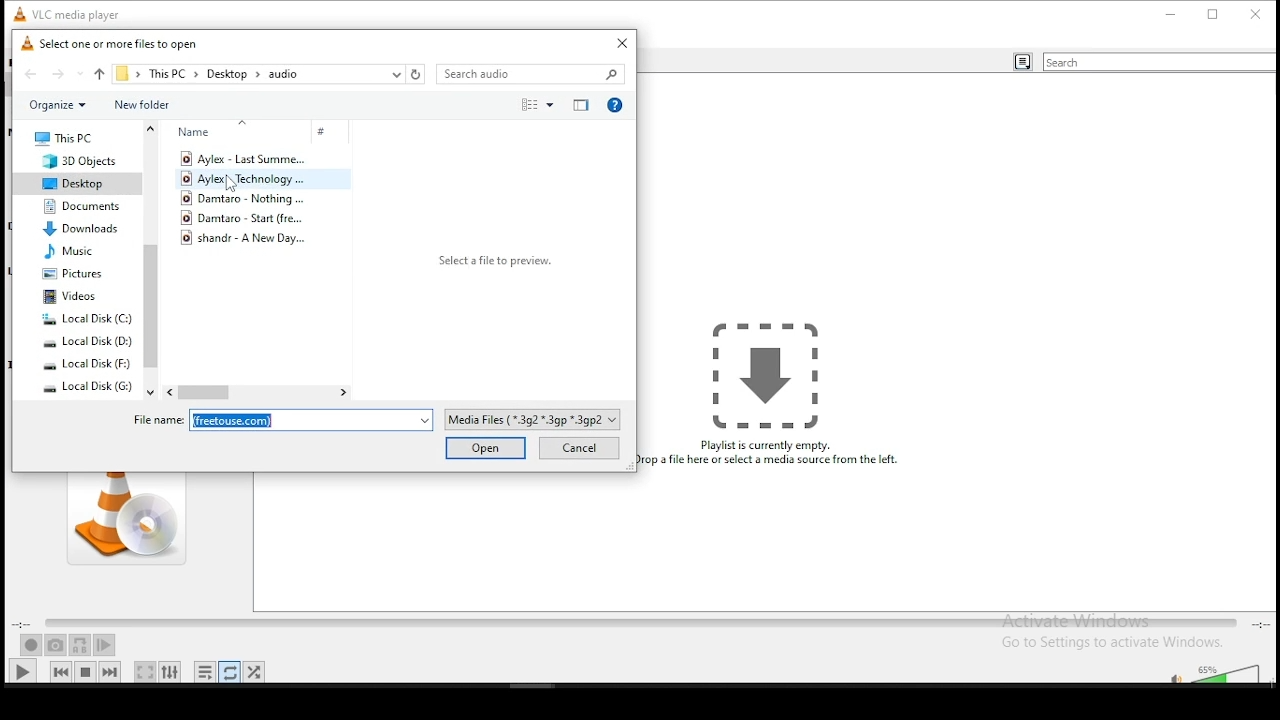 This screenshot has height=720, width=1280. I want to click on refresh, so click(416, 73).